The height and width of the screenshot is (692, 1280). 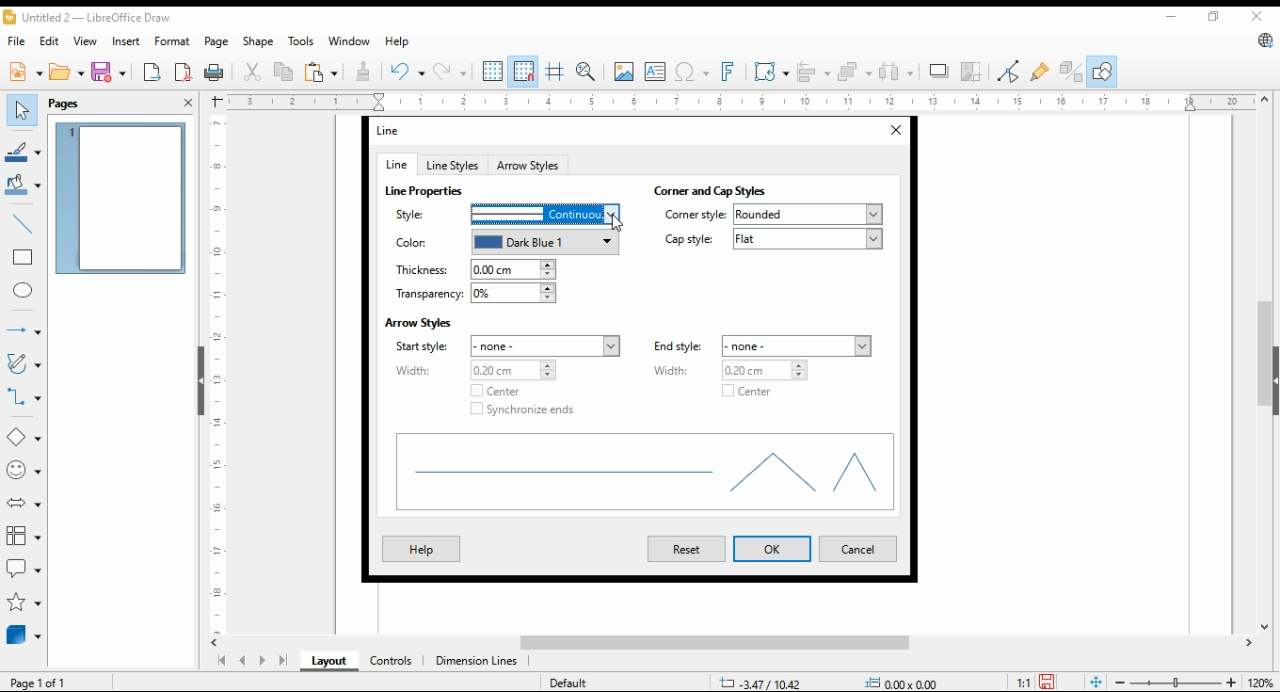 What do you see at coordinates (743, 393) in the screenshot?
I see `checkbox: center` at bounding box center [743, 393].